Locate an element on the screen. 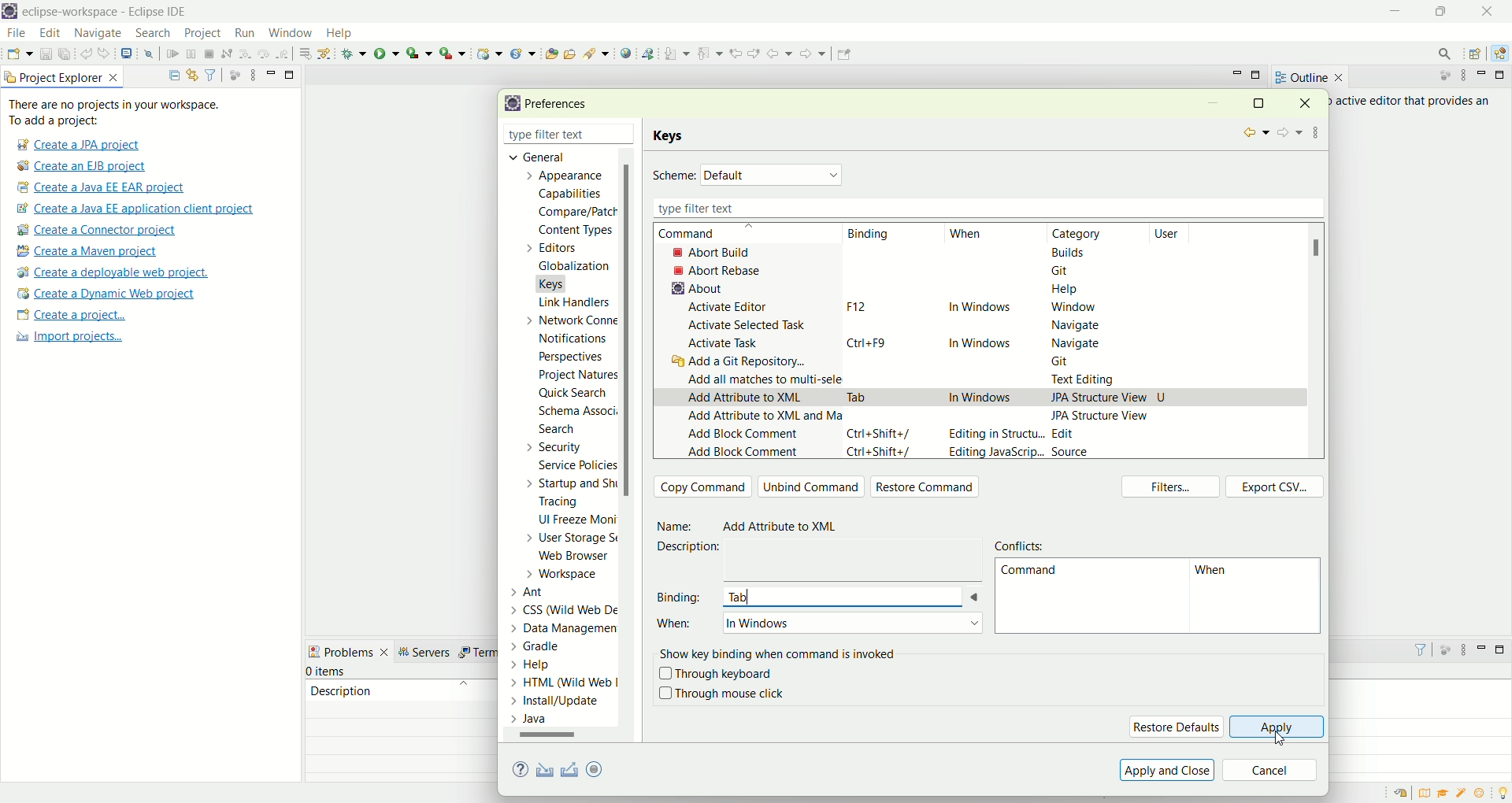 This screenshot has width=1512, height=803. help is located at coordinates (1065, 292).